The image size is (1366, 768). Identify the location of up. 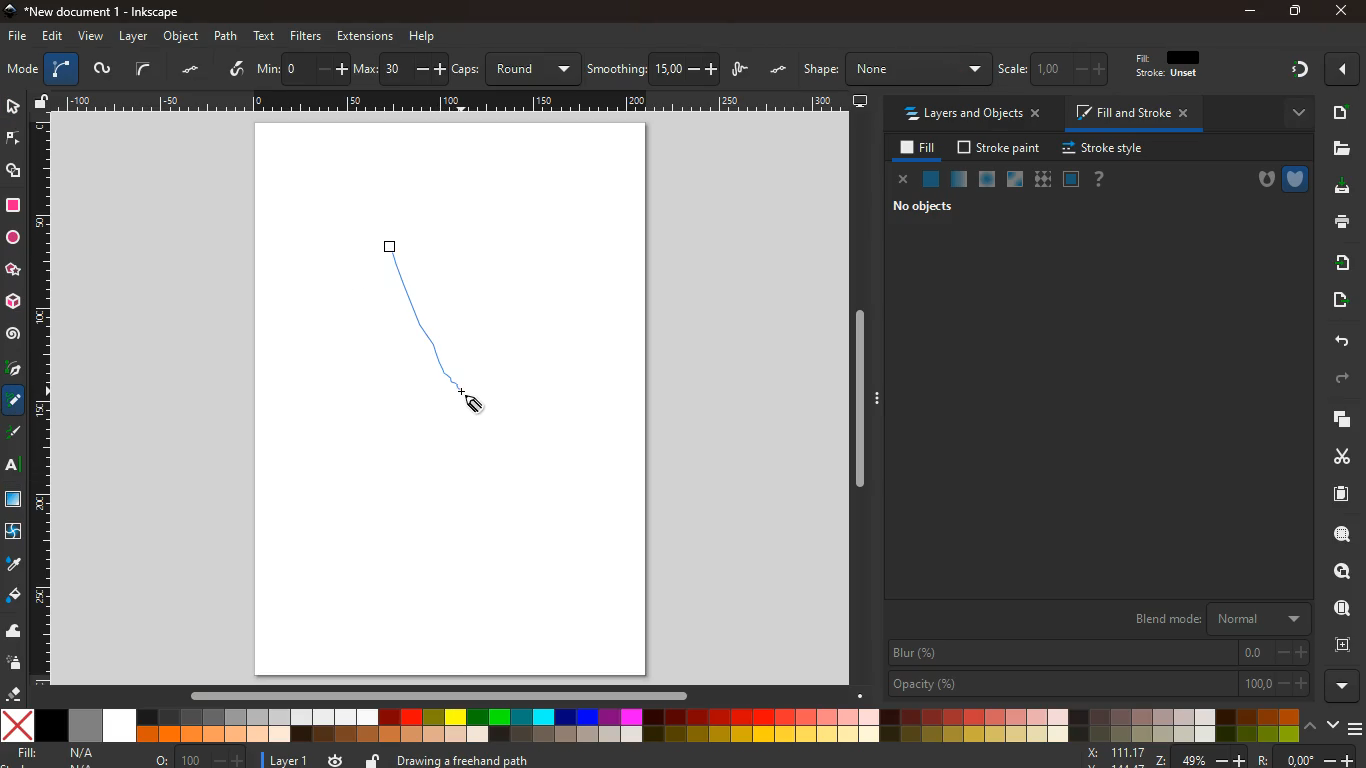
(1312, 724).